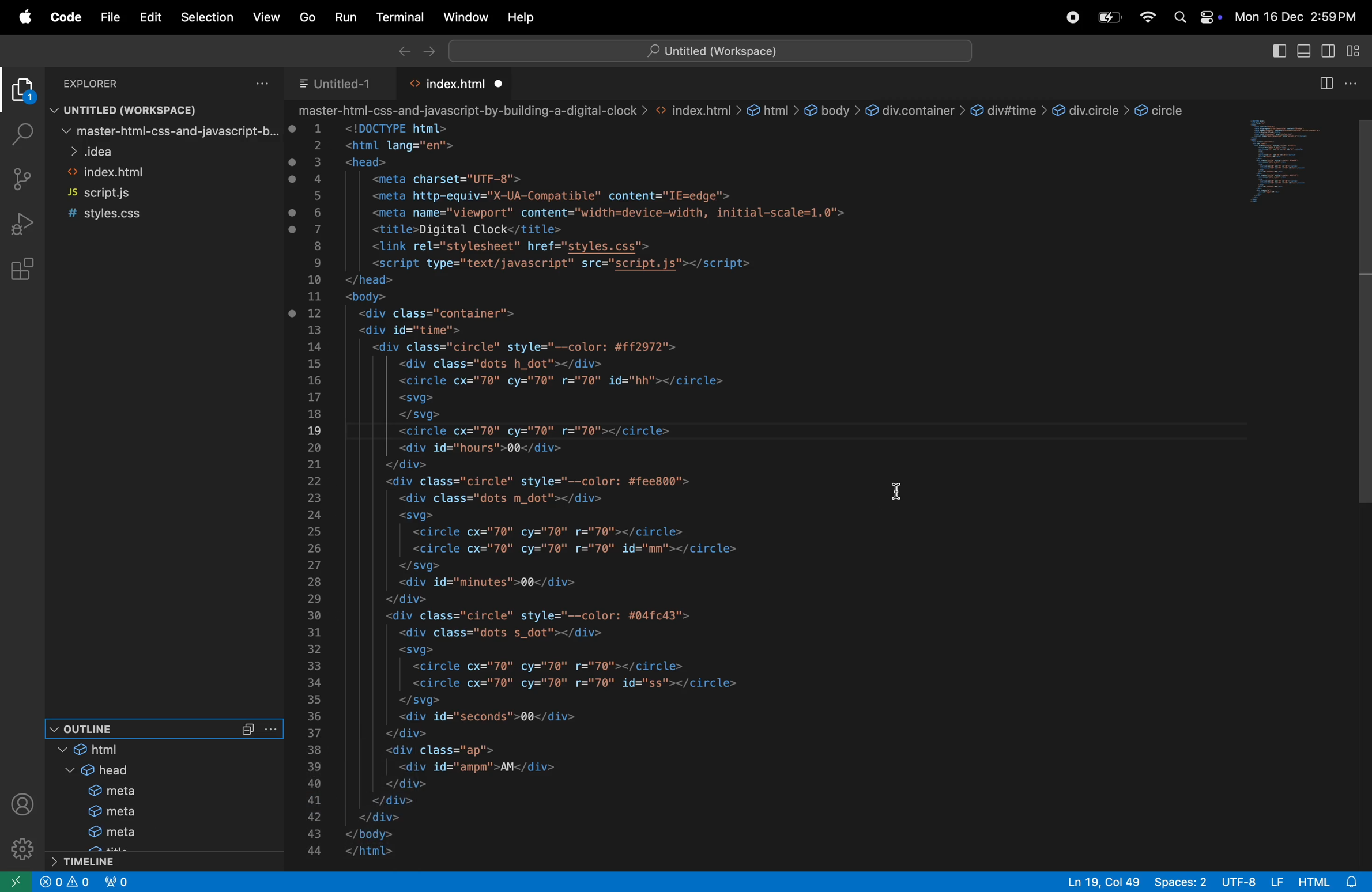  What do you see at coordinates (116, 771) in the screenshot?
I see `head` at bounding box center [116, 771].